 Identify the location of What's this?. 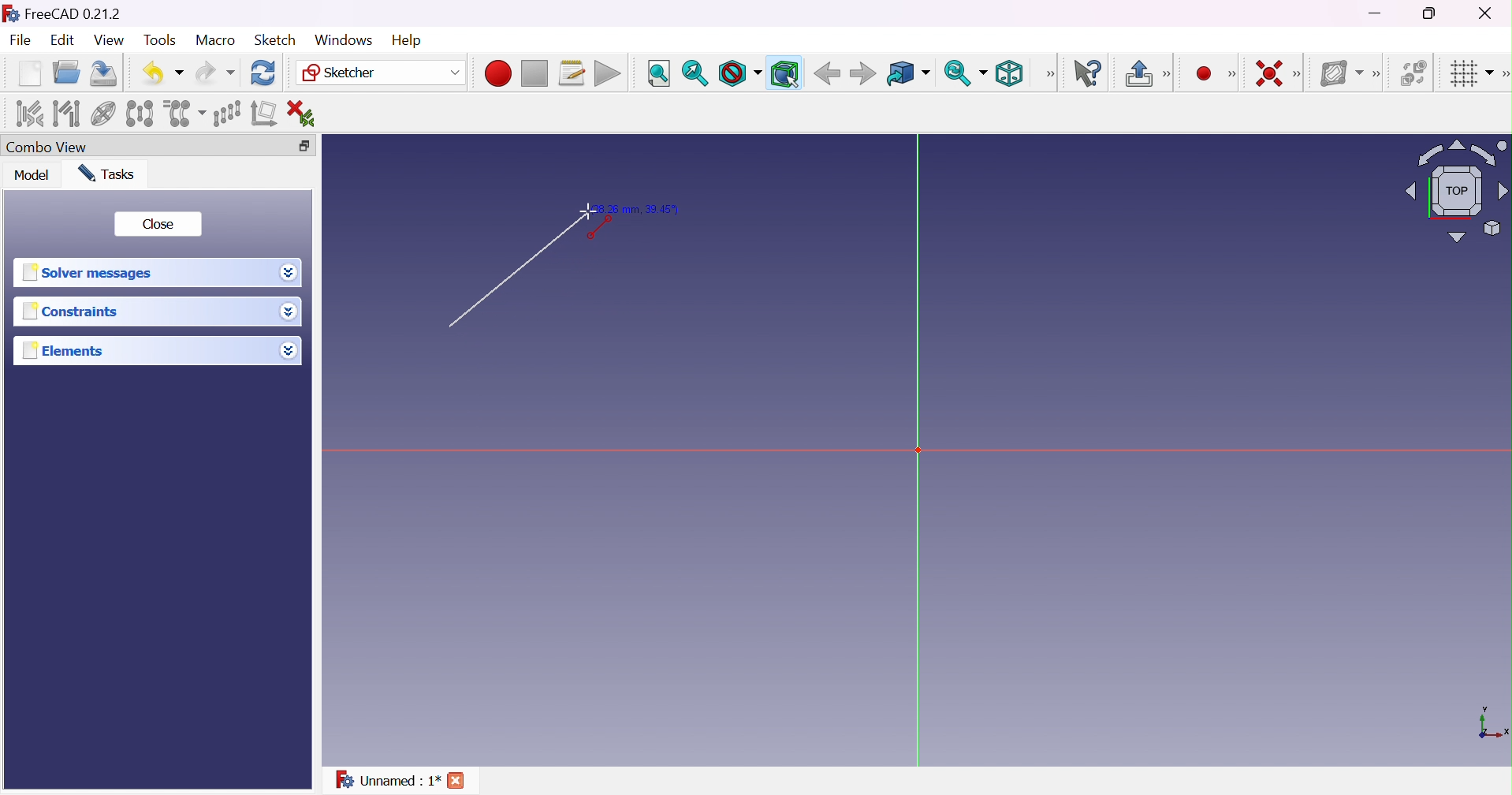
(1091, 74).